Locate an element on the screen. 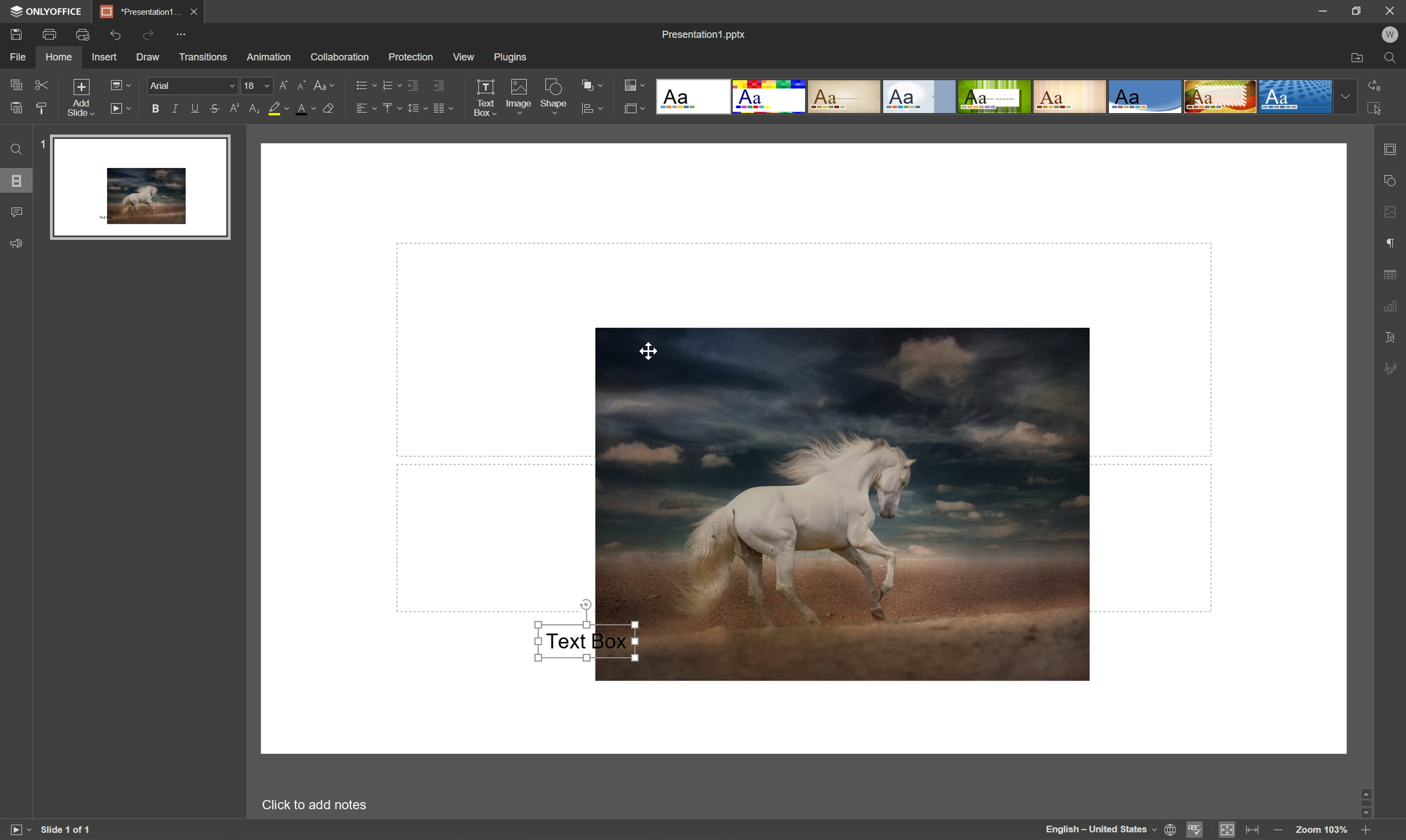 This screenshot has width=1406, height=840. Subscript is located at coordinates (256, 109).